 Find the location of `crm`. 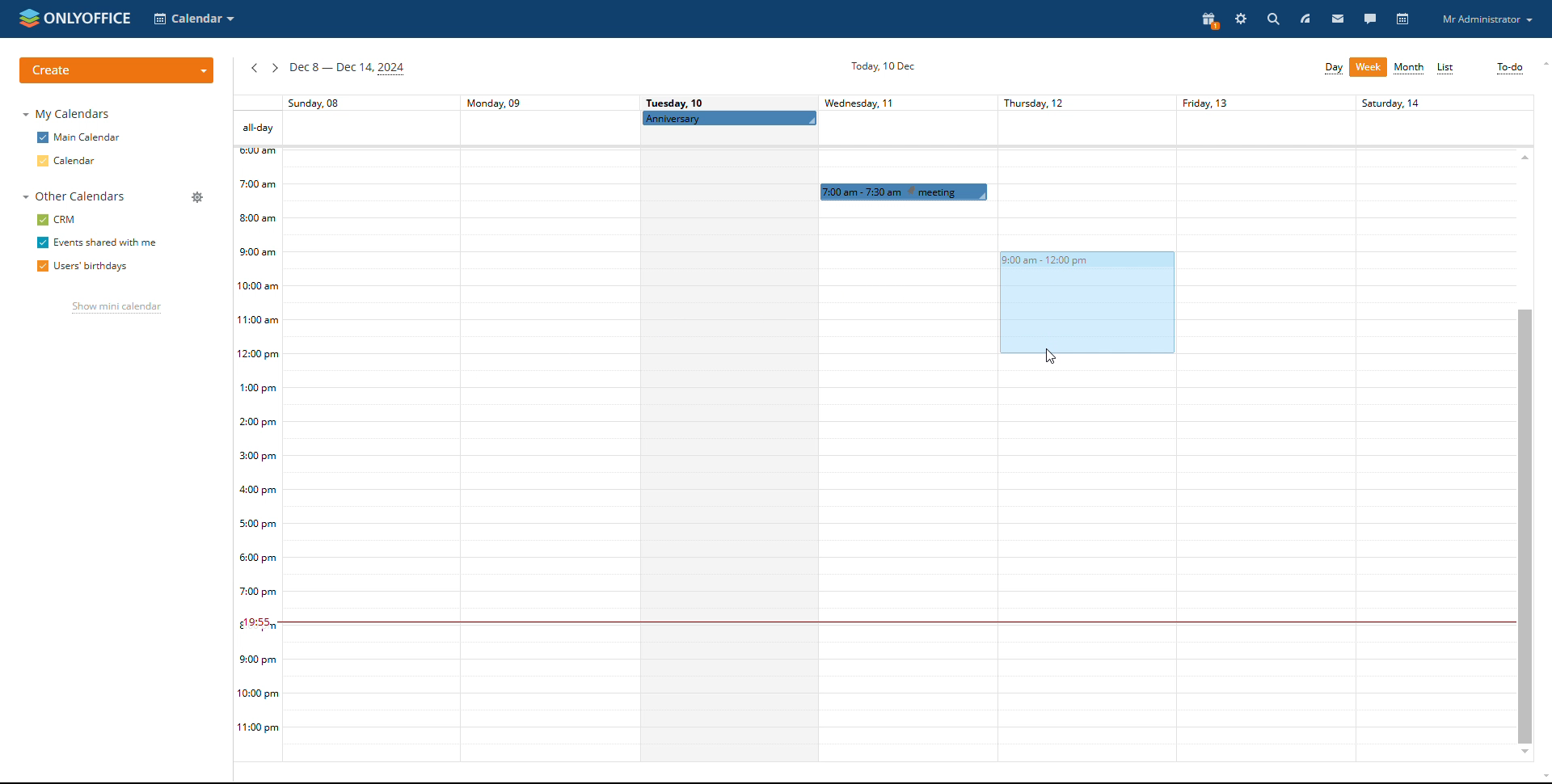

crm is located at coordinates (67, 220).